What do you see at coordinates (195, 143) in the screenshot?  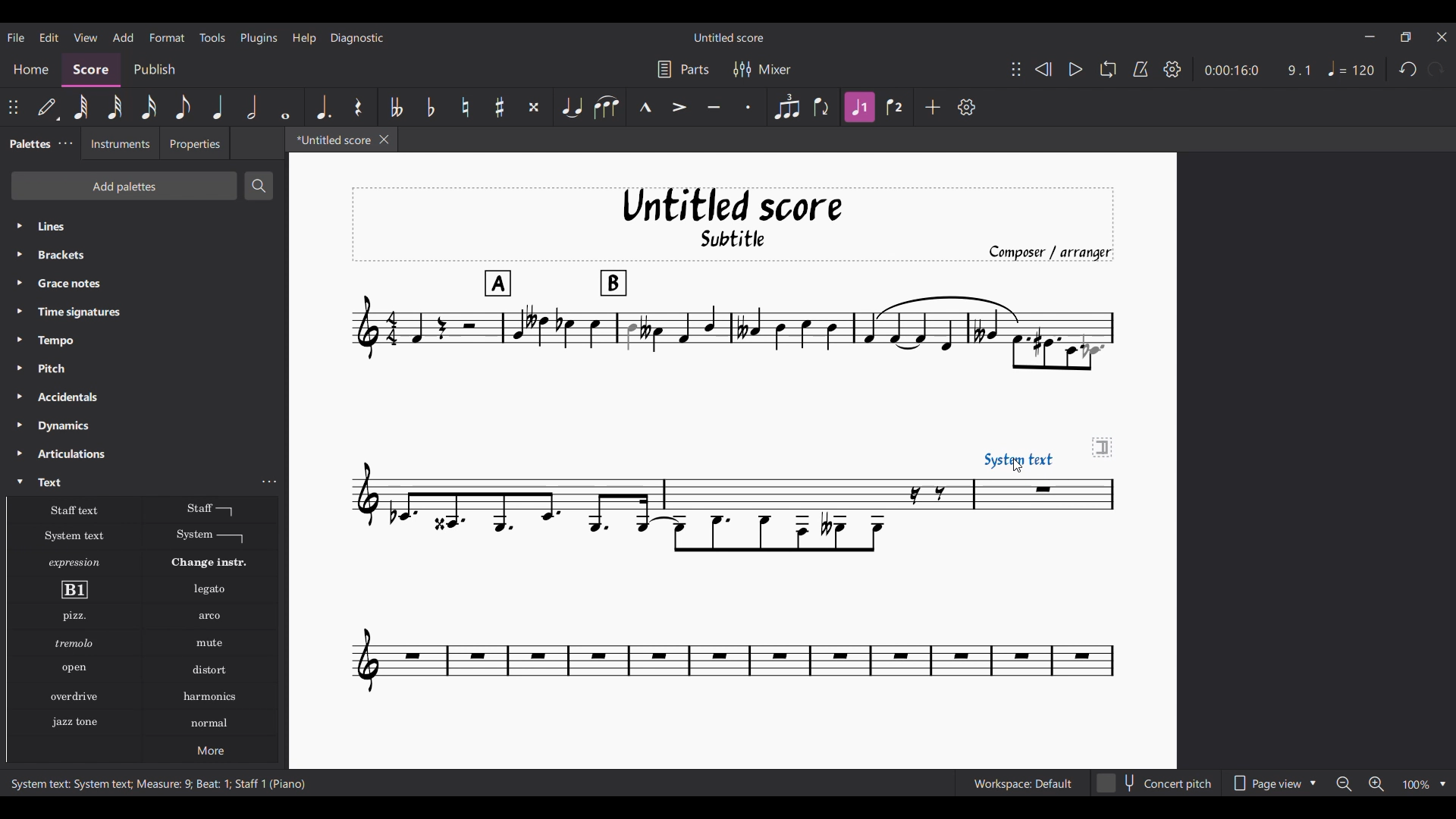 I see `Properties` at bounding box center [195, 143].